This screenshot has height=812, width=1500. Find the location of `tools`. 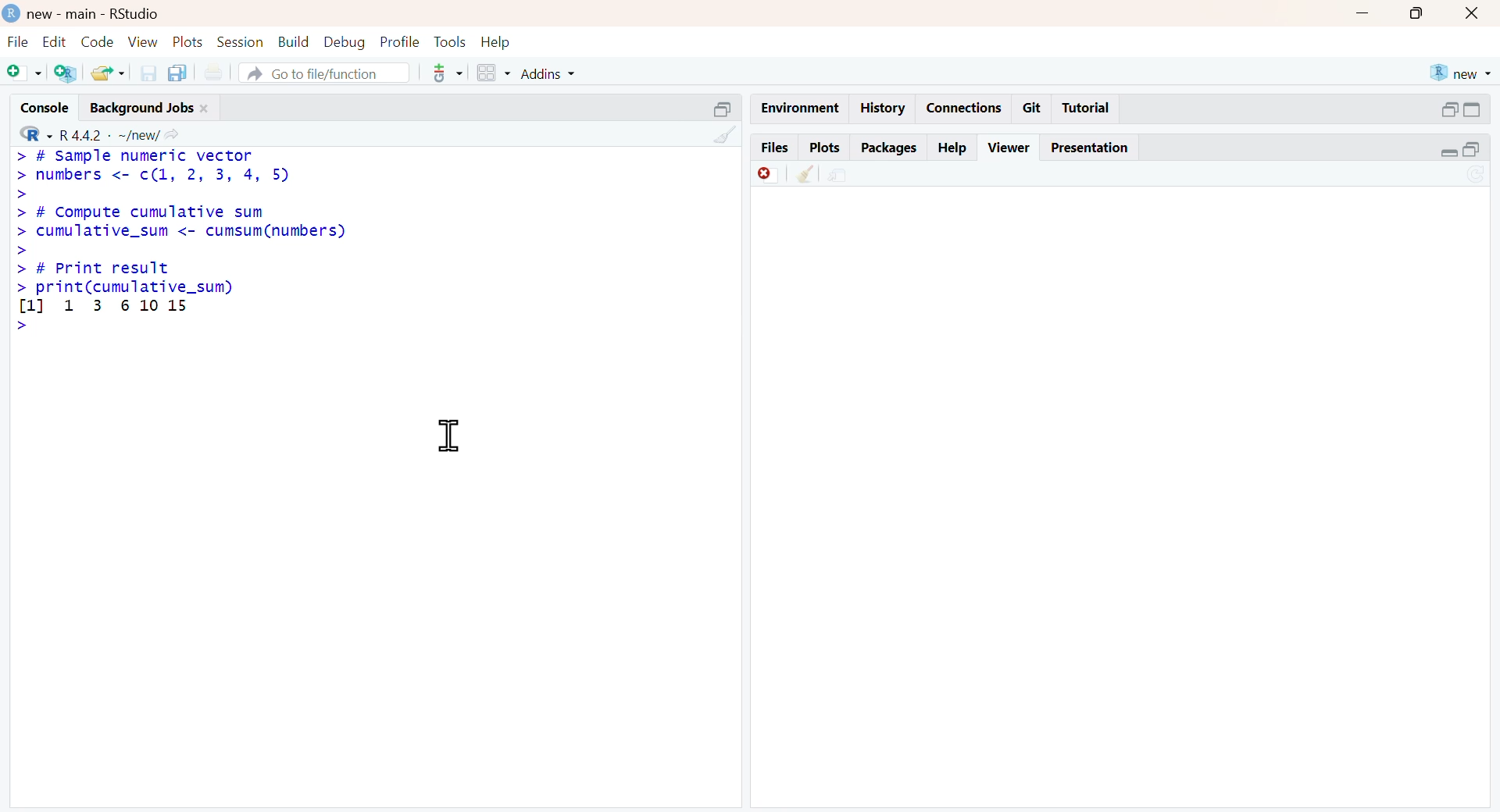

tools is located at coordinates (449, 73).